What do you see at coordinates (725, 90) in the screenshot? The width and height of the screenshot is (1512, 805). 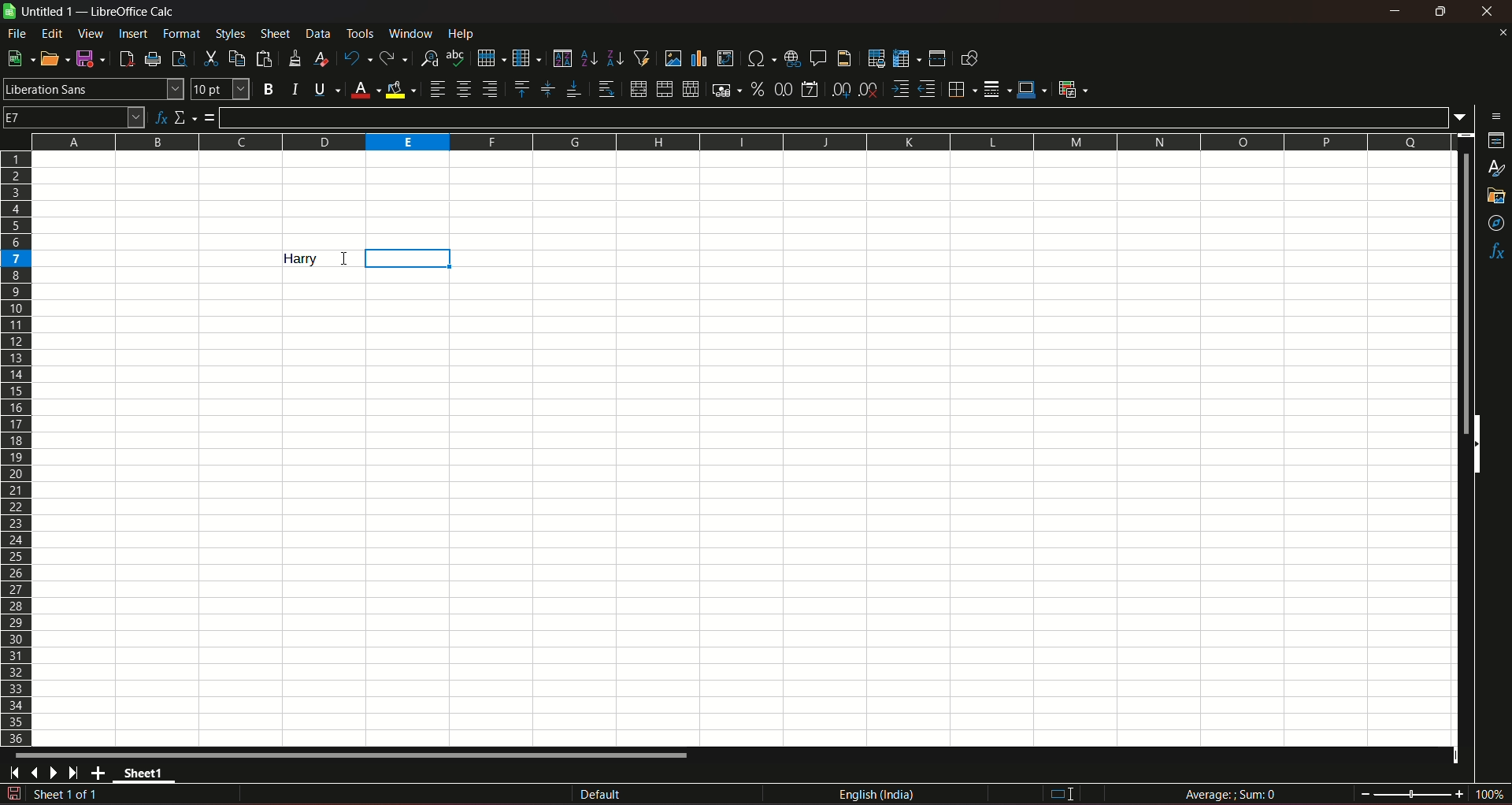 I see `format as currency` at bounding box center [725, 90].